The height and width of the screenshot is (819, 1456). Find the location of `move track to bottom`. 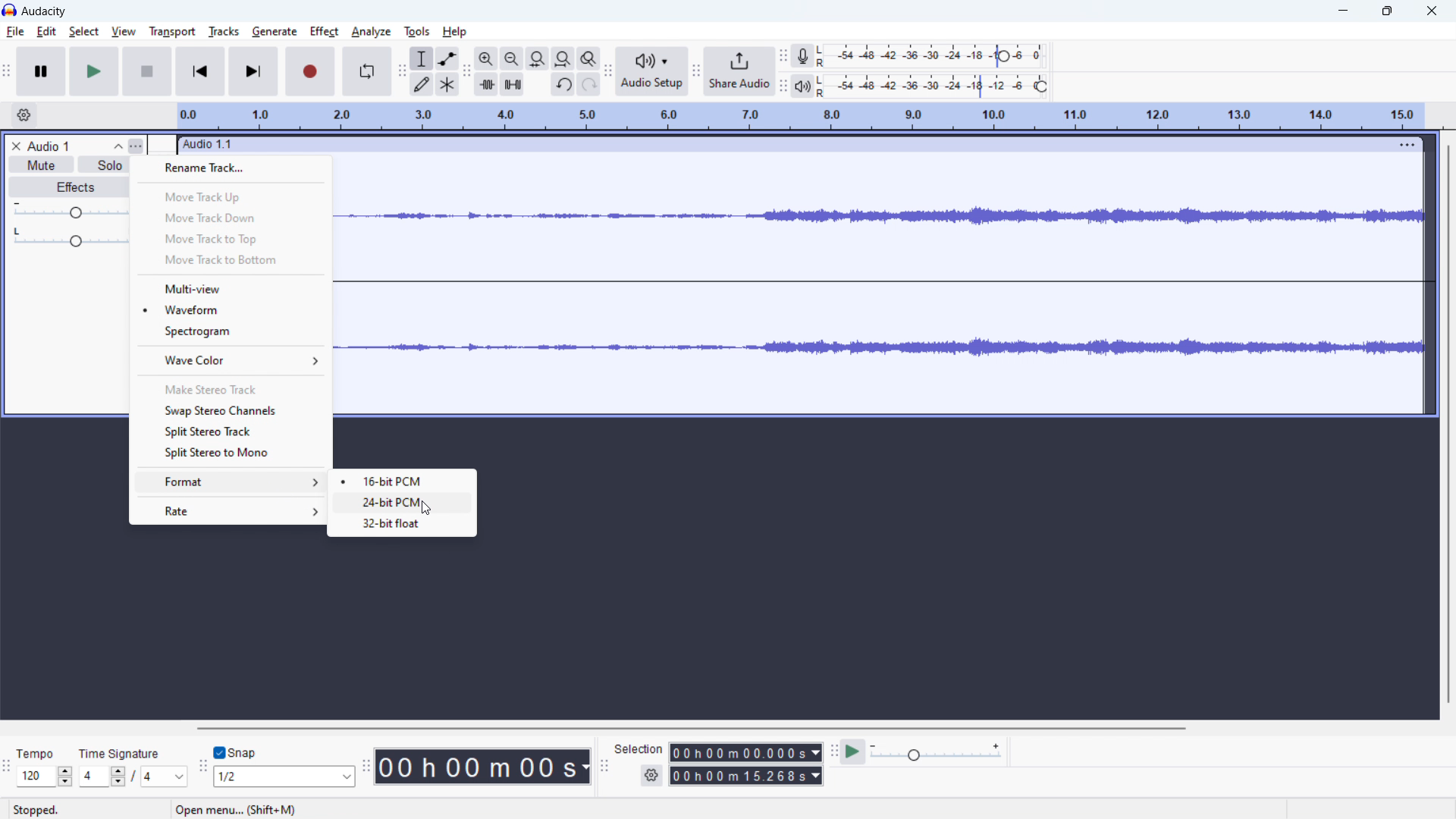

move track to bottom is located at coordinates (231, 260).